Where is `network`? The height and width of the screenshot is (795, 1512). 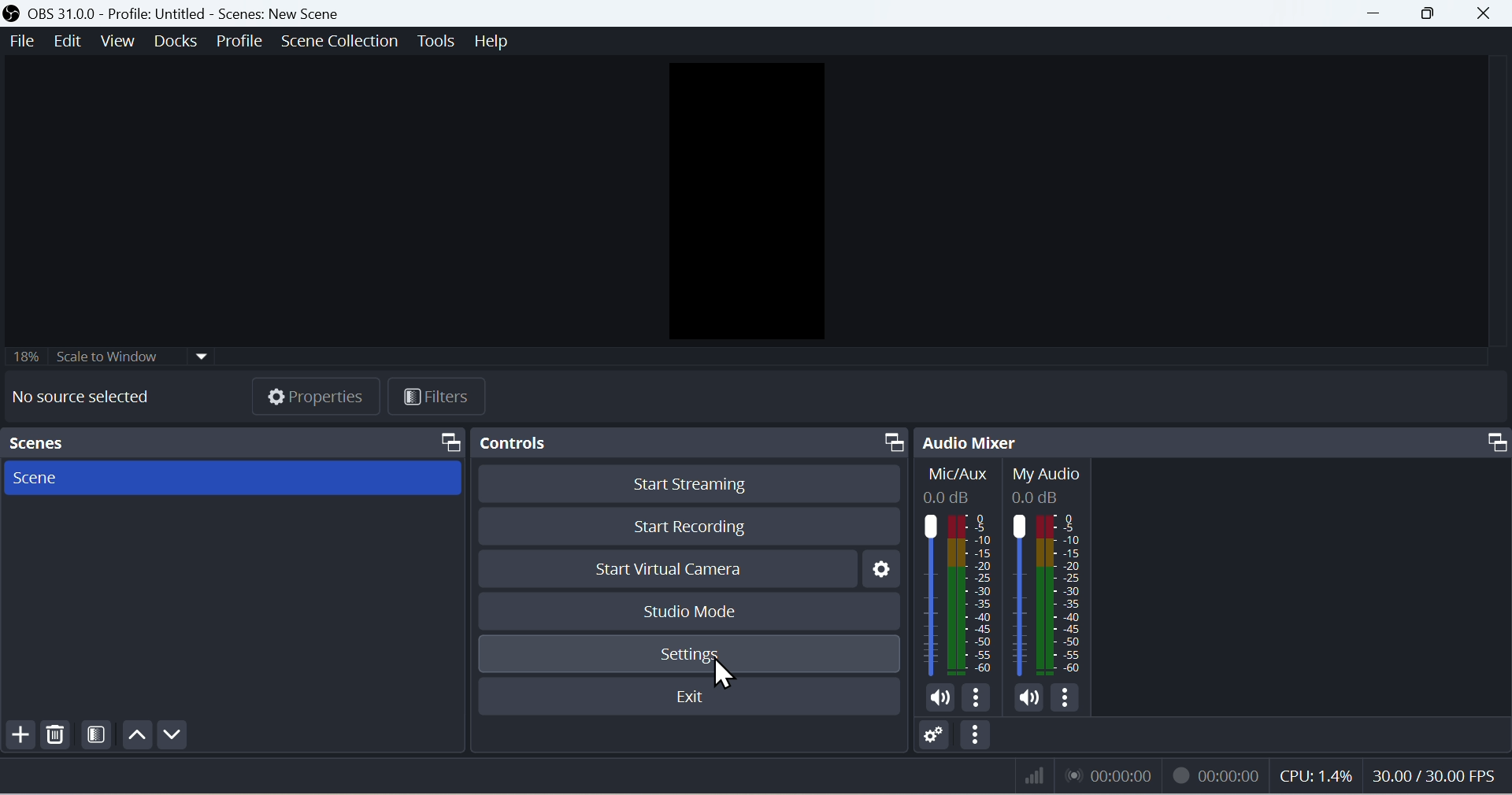 network is located at coordinates (1027, 775).